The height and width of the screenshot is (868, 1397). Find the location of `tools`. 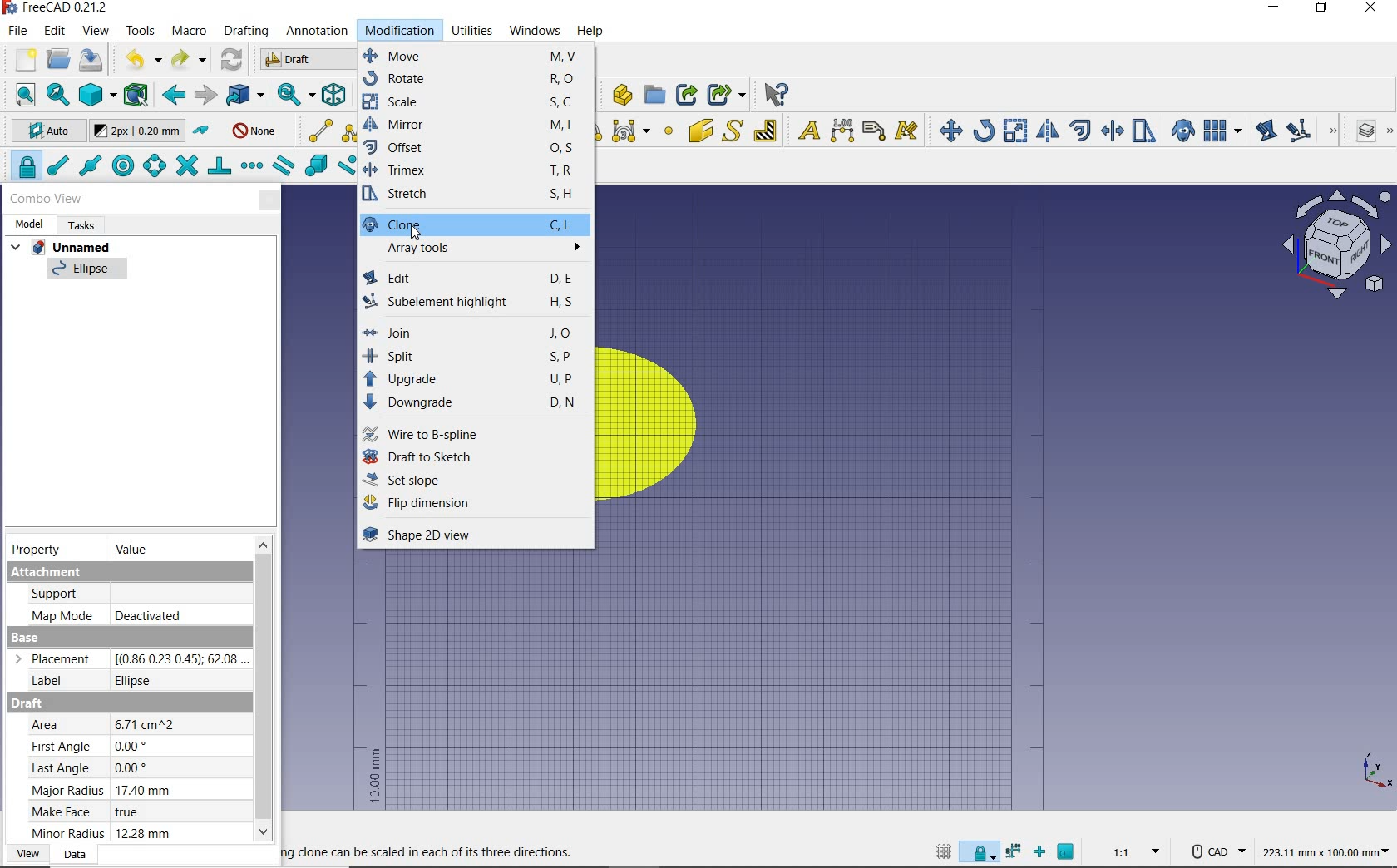

tools is located at coordinates (143, 32).